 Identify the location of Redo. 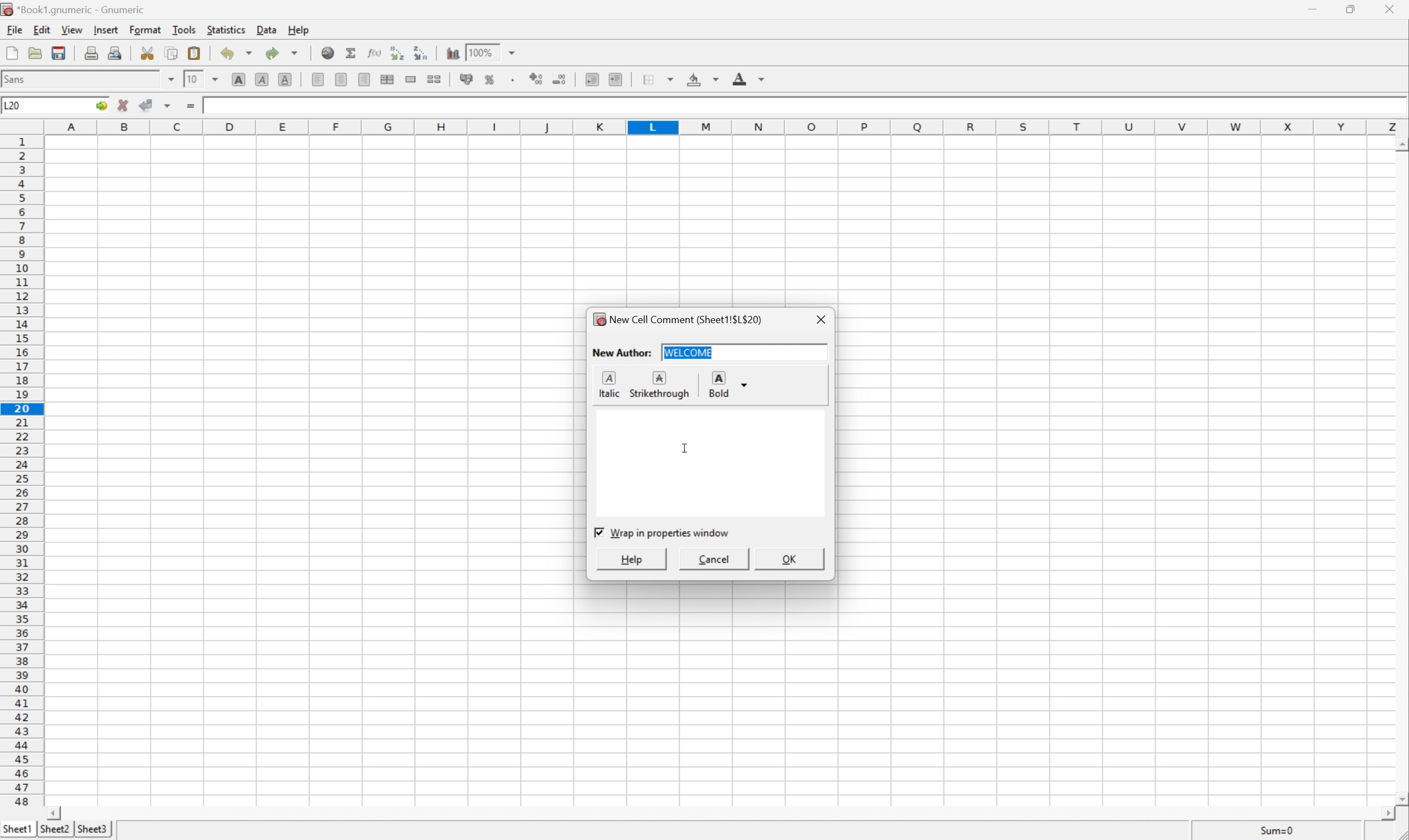
(284, 53).